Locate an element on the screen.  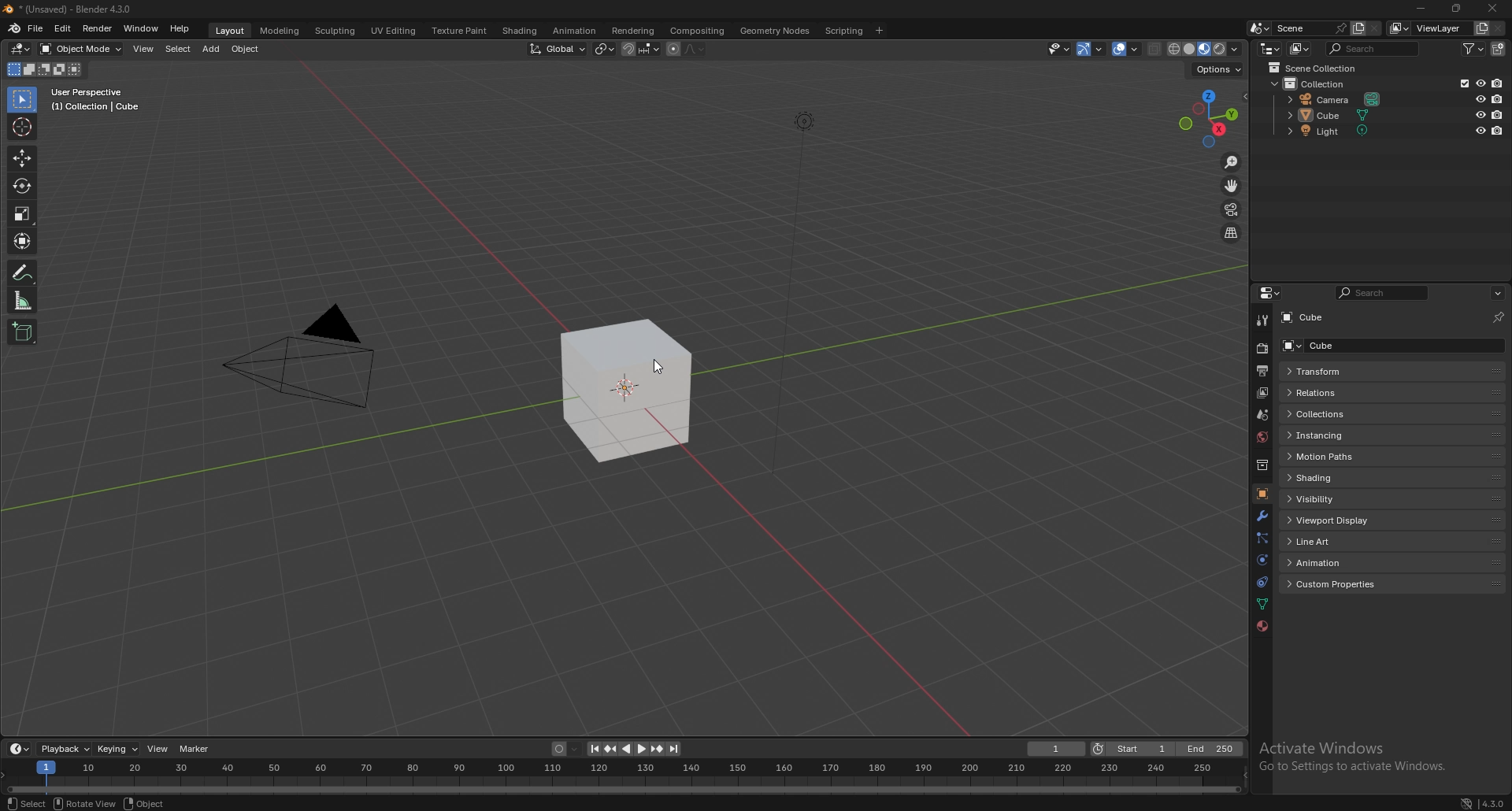
render is located at coordinates (1262, 350).